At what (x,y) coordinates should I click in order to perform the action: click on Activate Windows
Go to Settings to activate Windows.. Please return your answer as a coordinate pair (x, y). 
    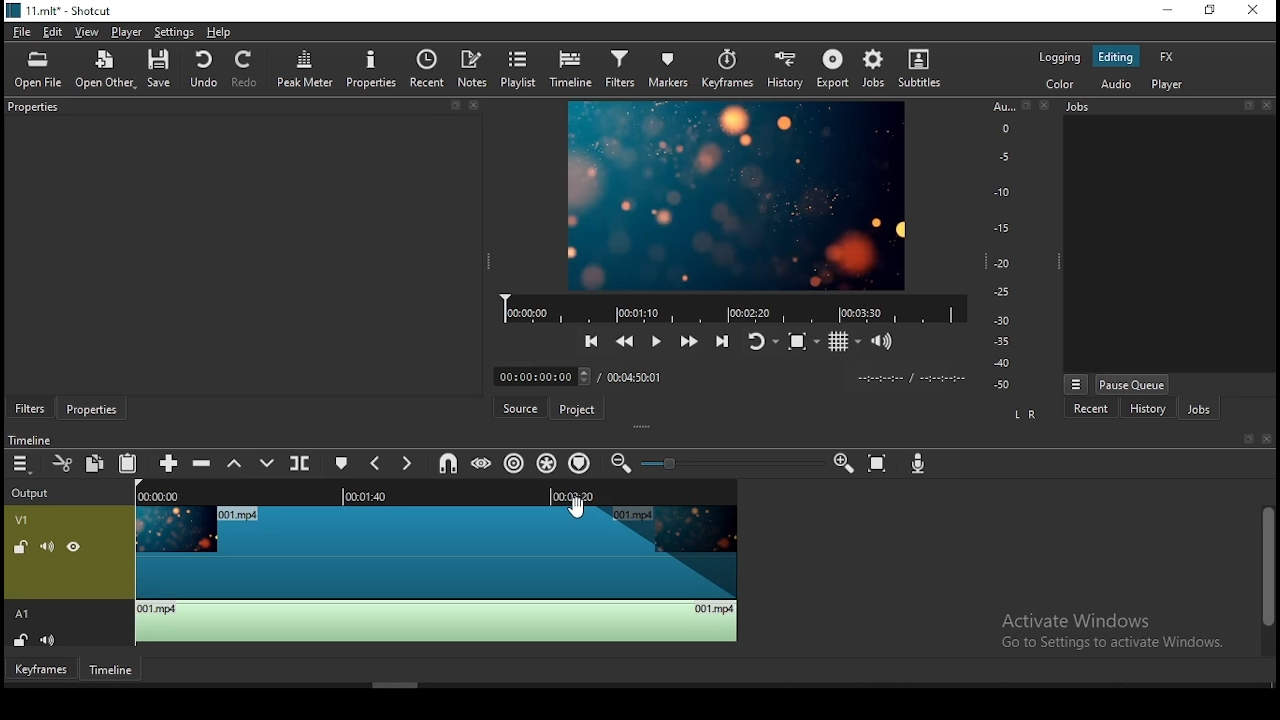
    Looking at the image, I should click on (1112, 633).